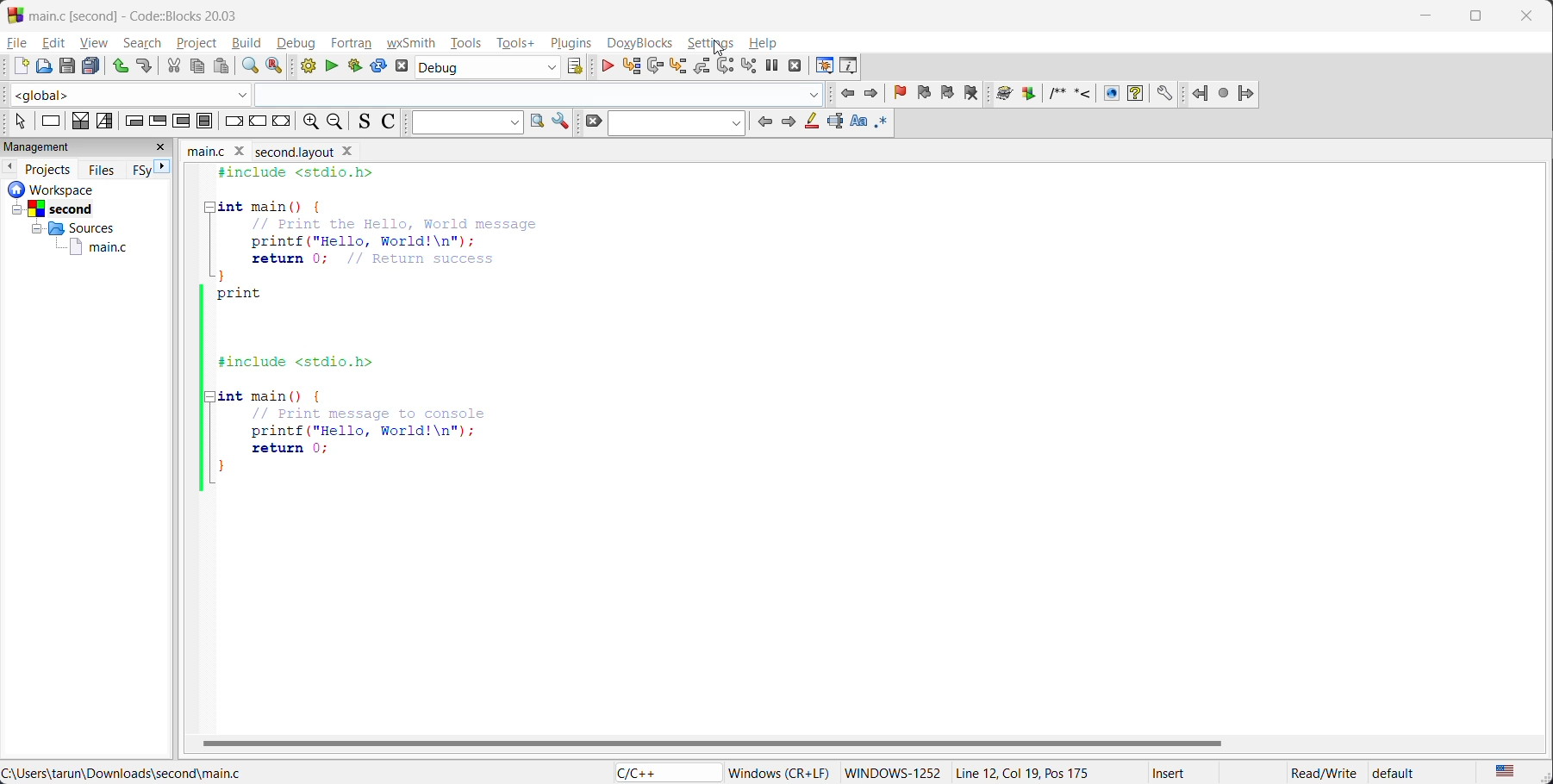 This screenshot has width=1553, height=784. I want to click on next, so click(164, 167).